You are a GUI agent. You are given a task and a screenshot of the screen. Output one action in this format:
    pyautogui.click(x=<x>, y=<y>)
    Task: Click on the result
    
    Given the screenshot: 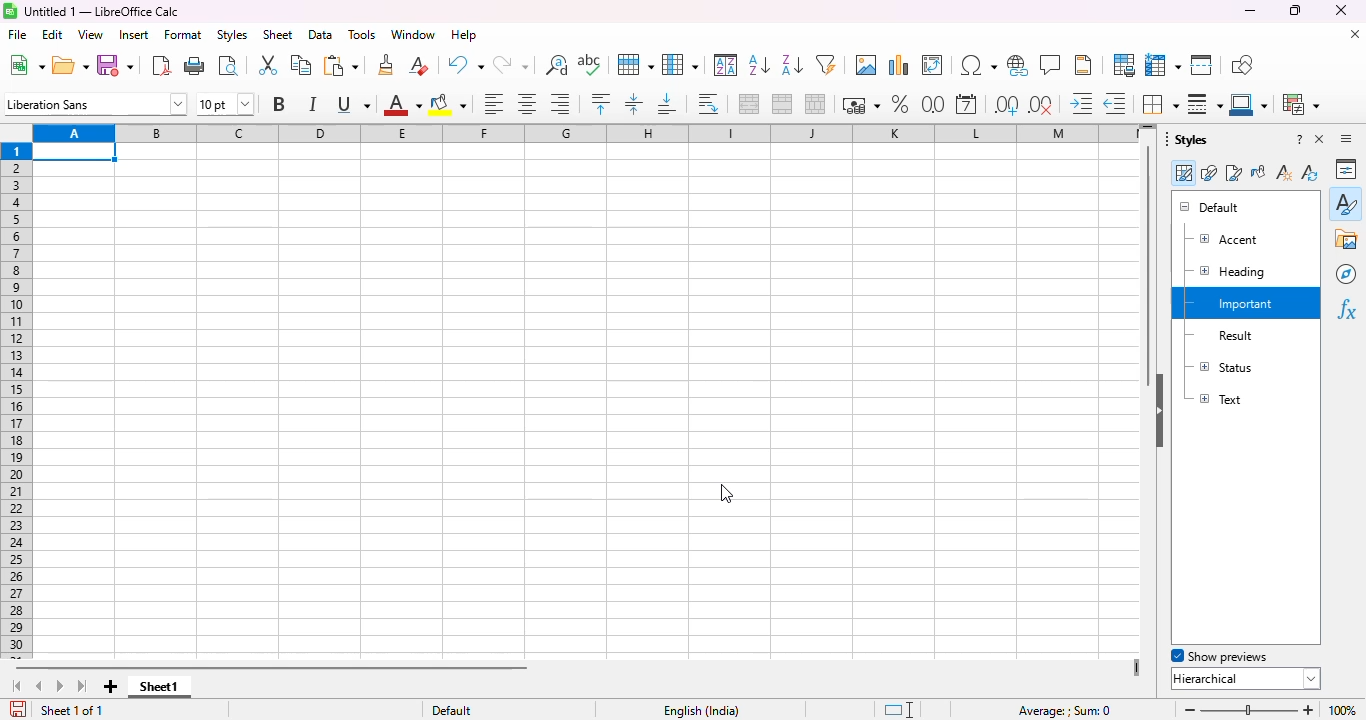 What is the action you would take?
    pyautogui.click(x=1235, y=336)
    